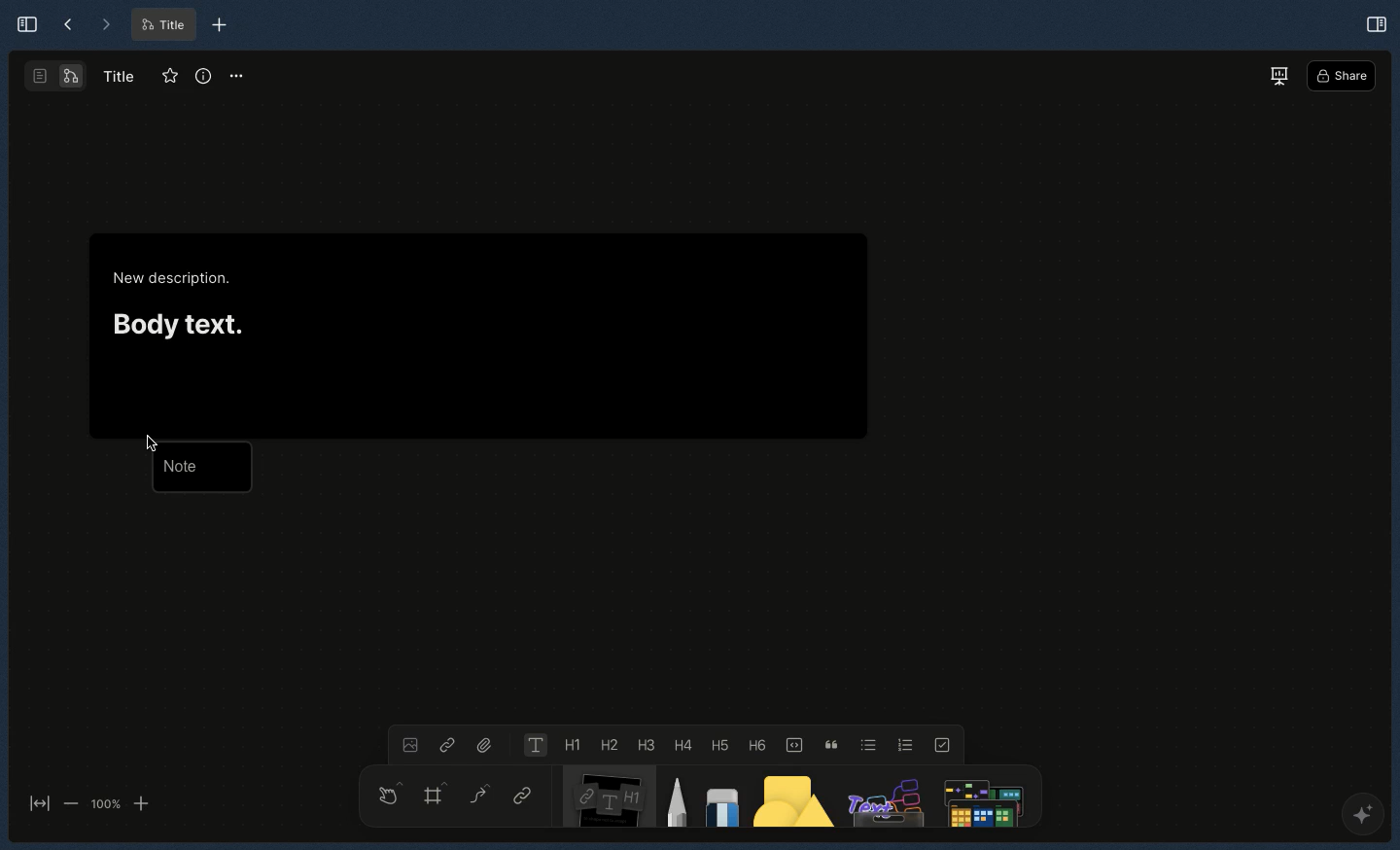 This screenshot has width=1400, height=850. Describe the element at coordinates (523, 797) in the screenshot. I see `Link` at that location.